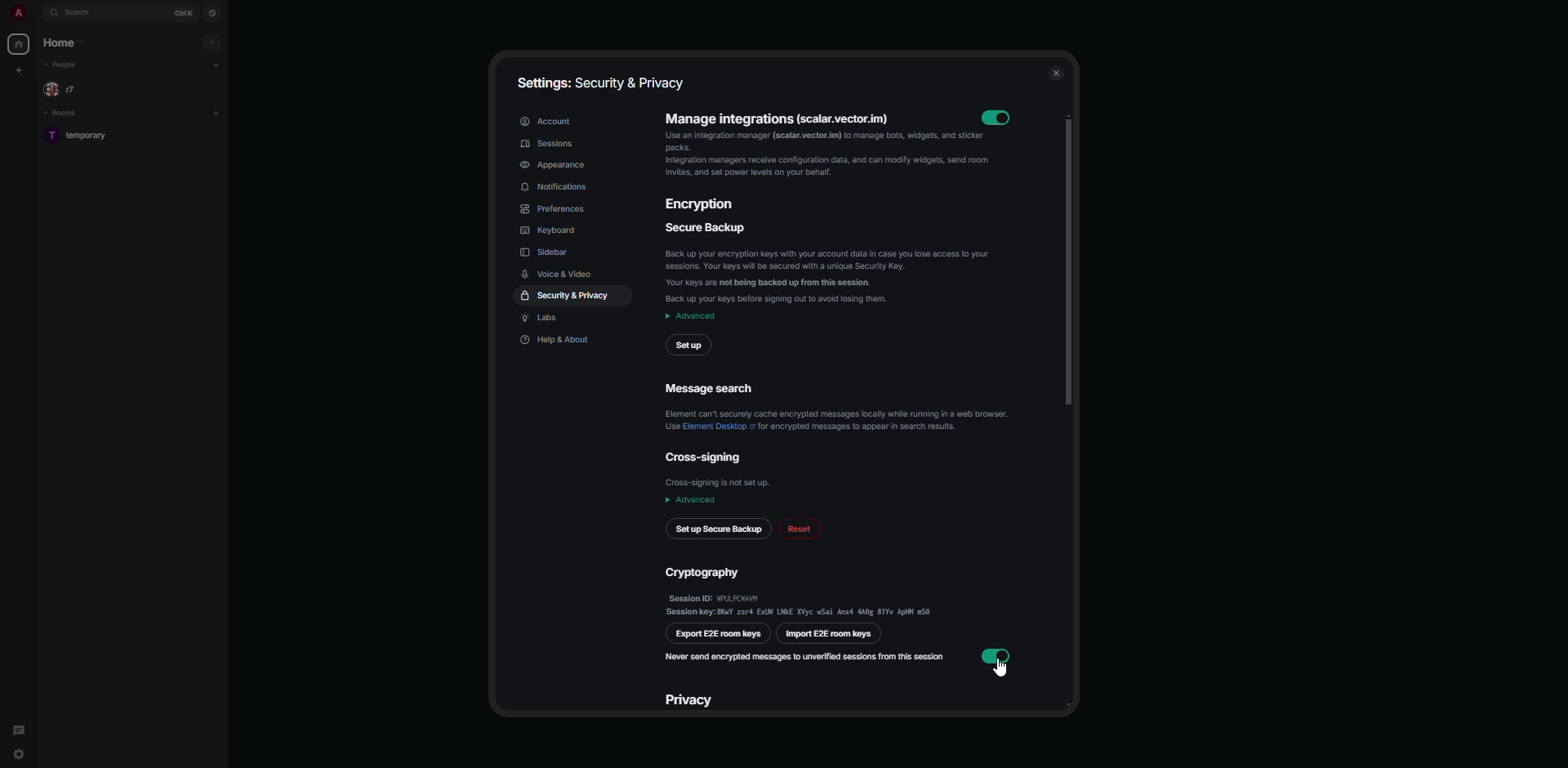 The height and width of the screenshot is (768, 1568). What do you see at coordinates (18, 726) in the screenshot?
I see `threads` at bounding box center [18, 726].